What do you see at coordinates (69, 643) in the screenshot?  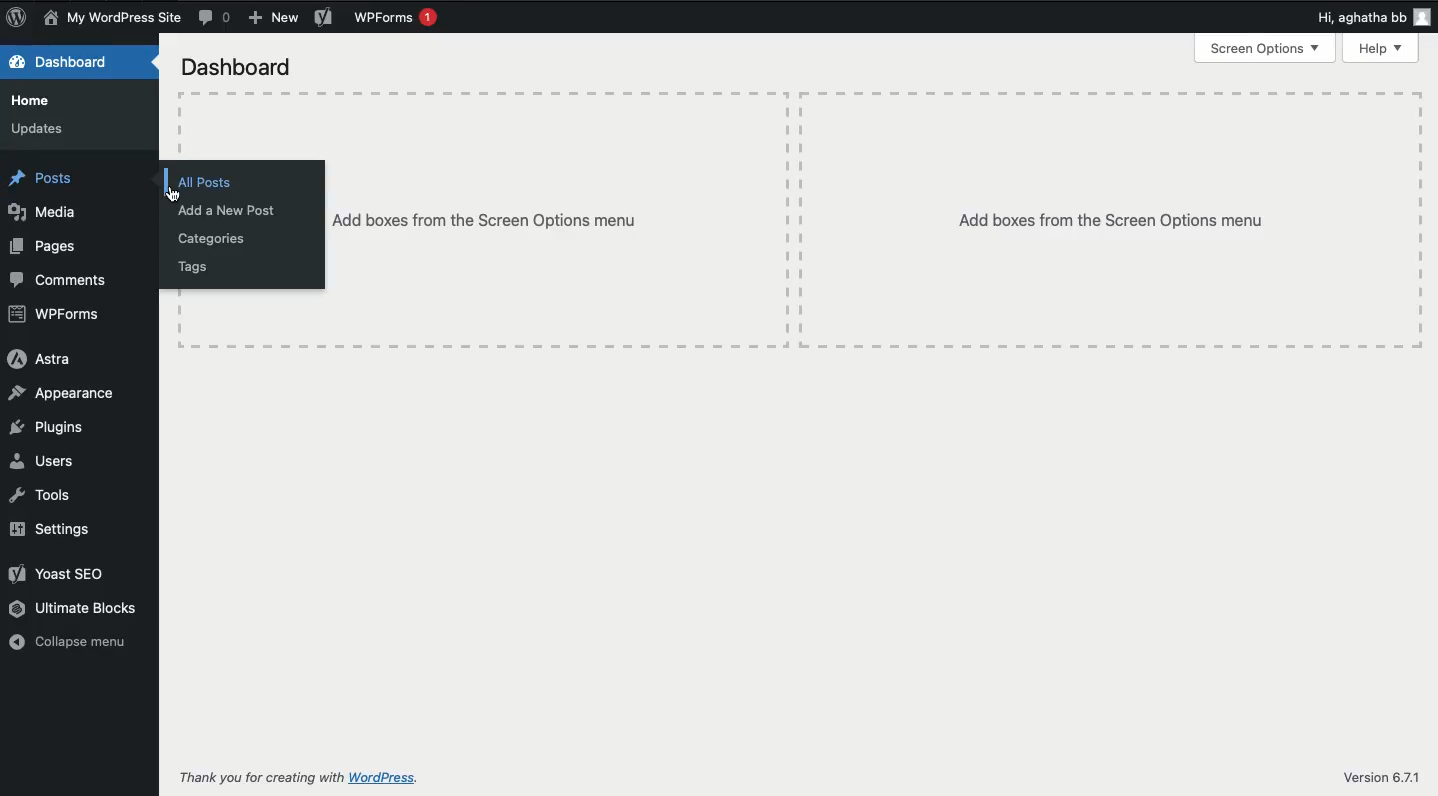 I see `Collapse menu` at bounding box center [69, 643].